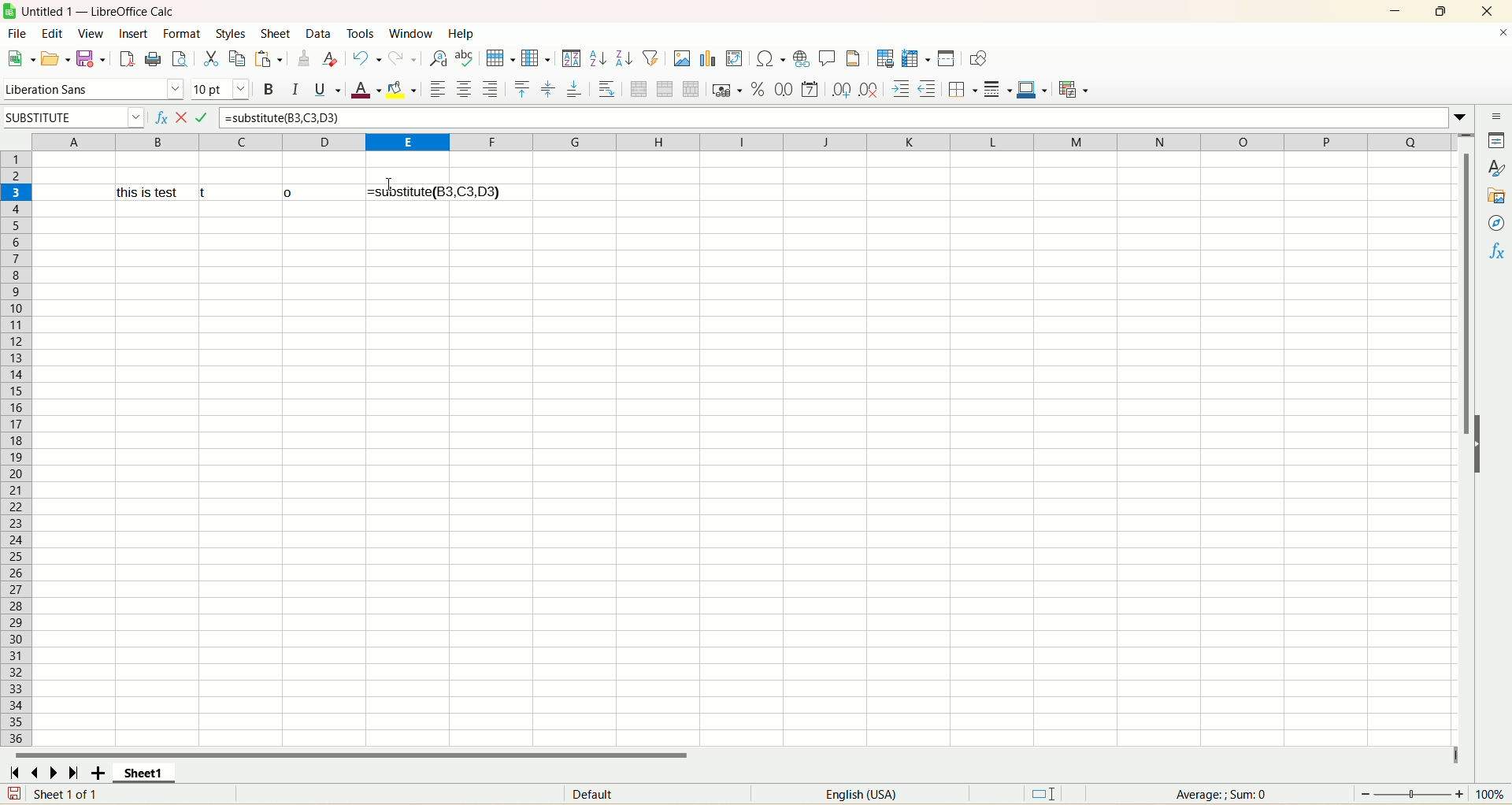 The image size is (1512, 805). I want to click on sort ascending, so click(596, 60).